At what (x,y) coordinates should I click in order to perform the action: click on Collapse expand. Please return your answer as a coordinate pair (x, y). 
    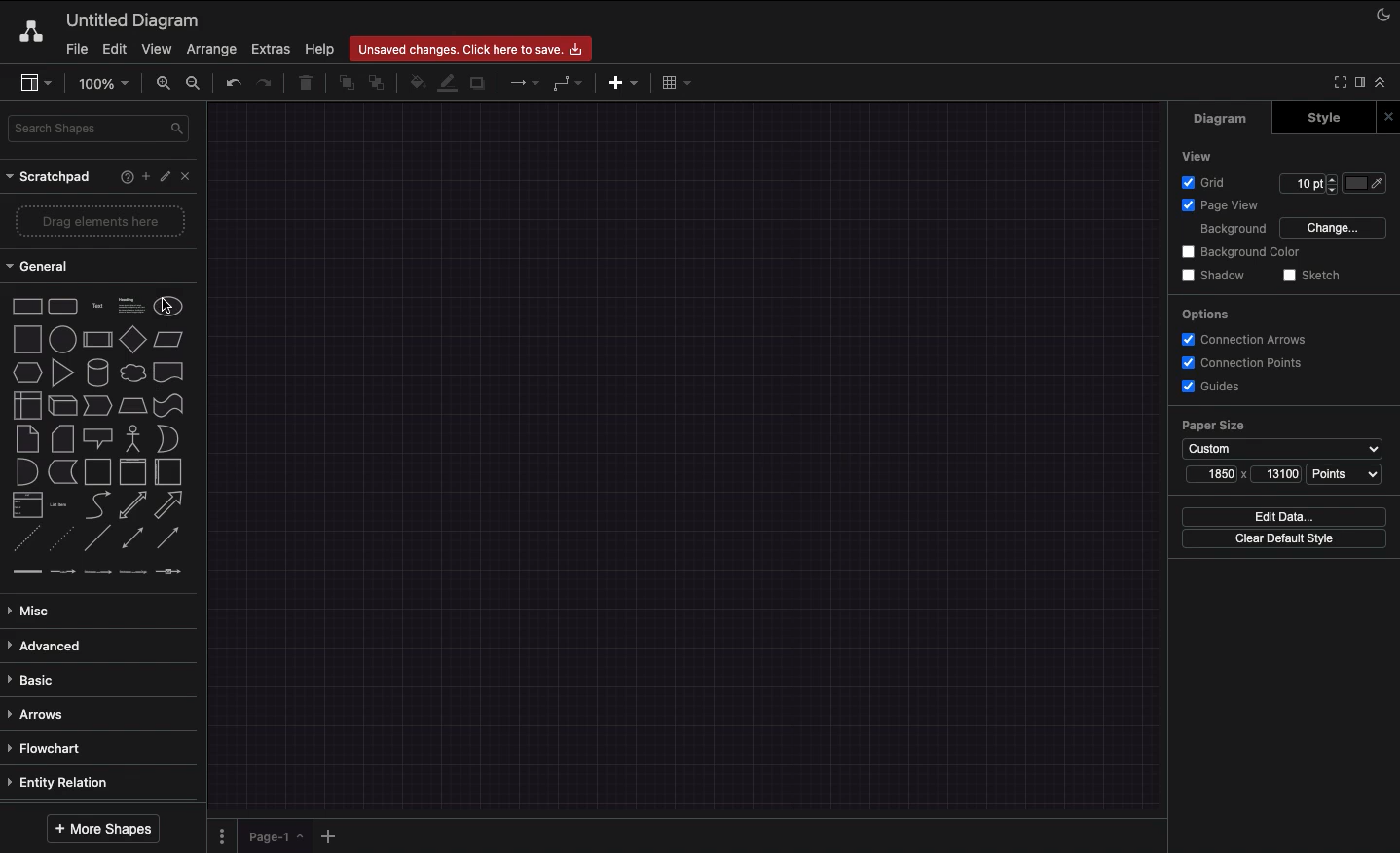
    Looking at the image, I should click on (1385, 87).